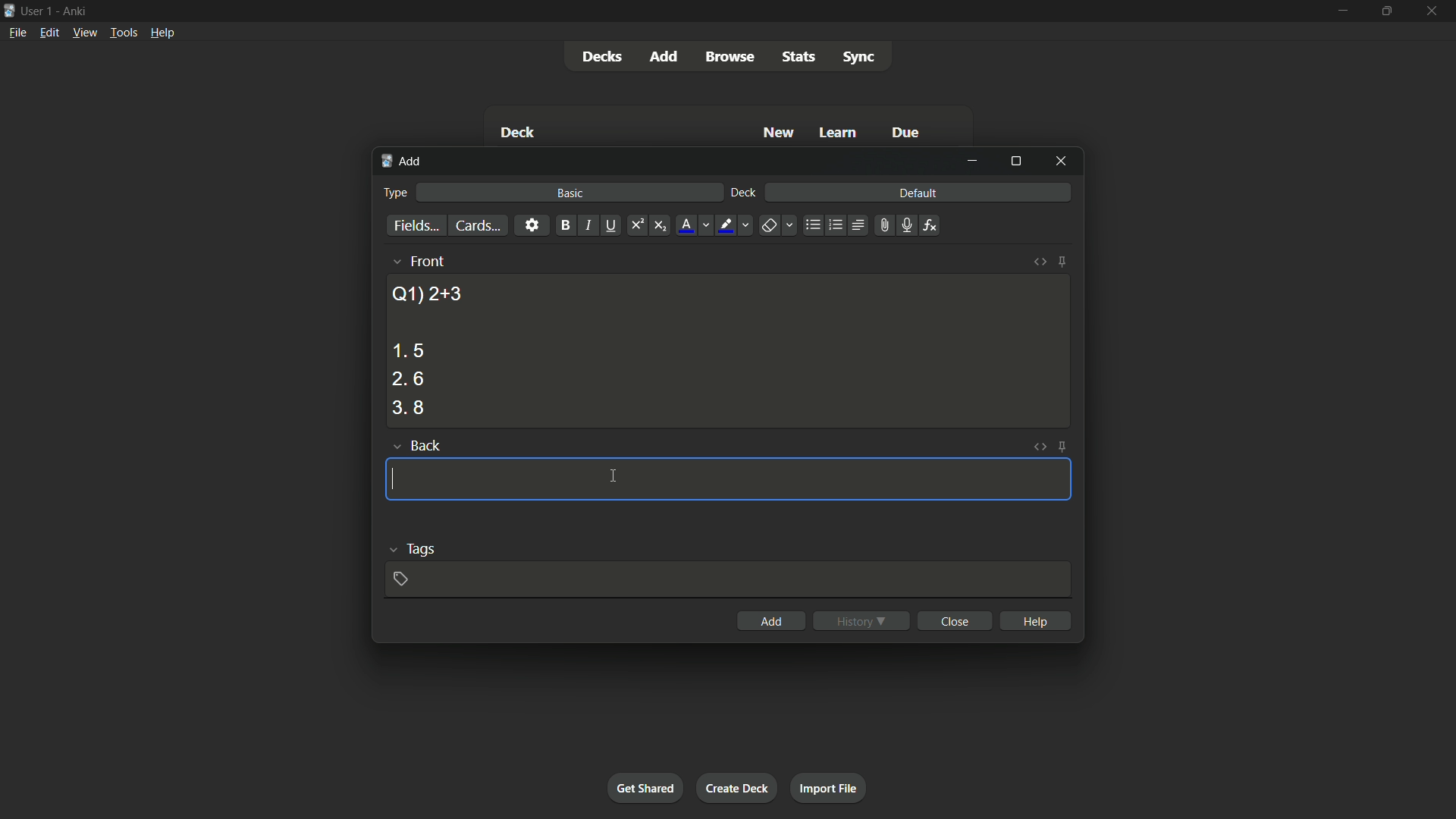 The image size is (1456, 819). What do you see at coordinates (857, 226) in the screenshot?
I see `alignment` at bounding box center [857, 226].